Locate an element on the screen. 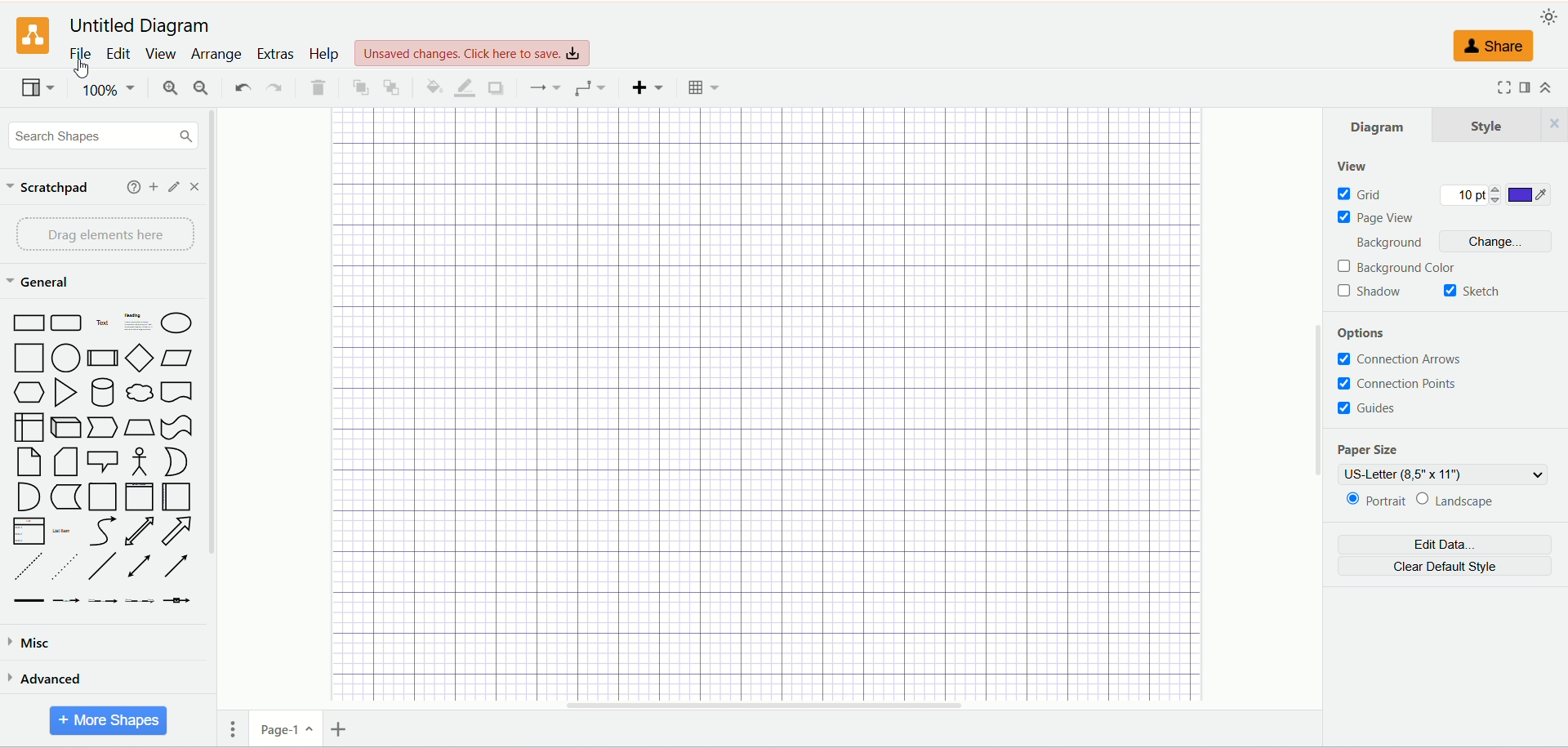 The height and width of the screenshot is (748, 1568). Cube is located at coordinates (65, 428).